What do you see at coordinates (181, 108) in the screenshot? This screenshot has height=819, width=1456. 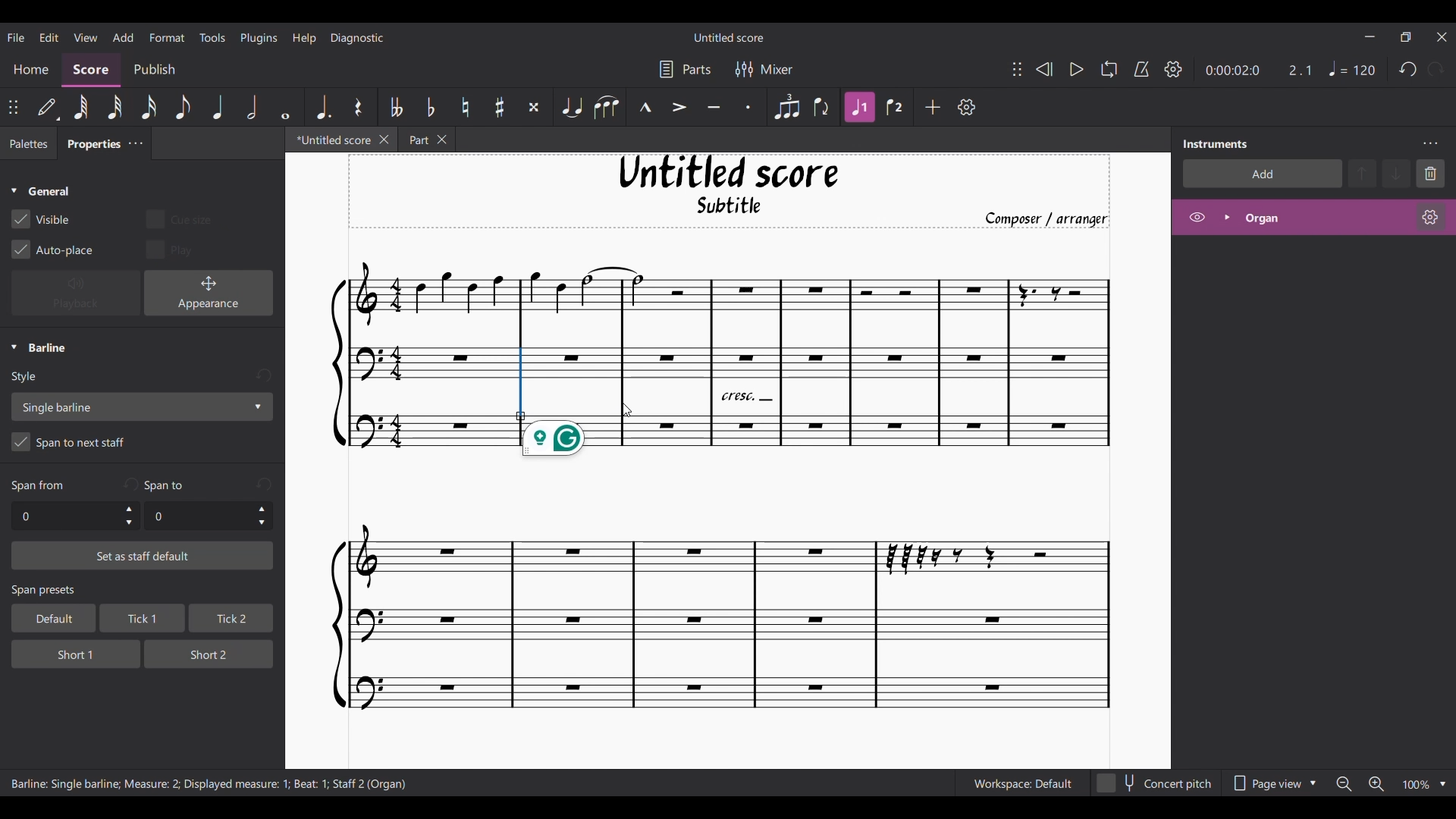 I see `8th note` at bounding box center [181, 108].